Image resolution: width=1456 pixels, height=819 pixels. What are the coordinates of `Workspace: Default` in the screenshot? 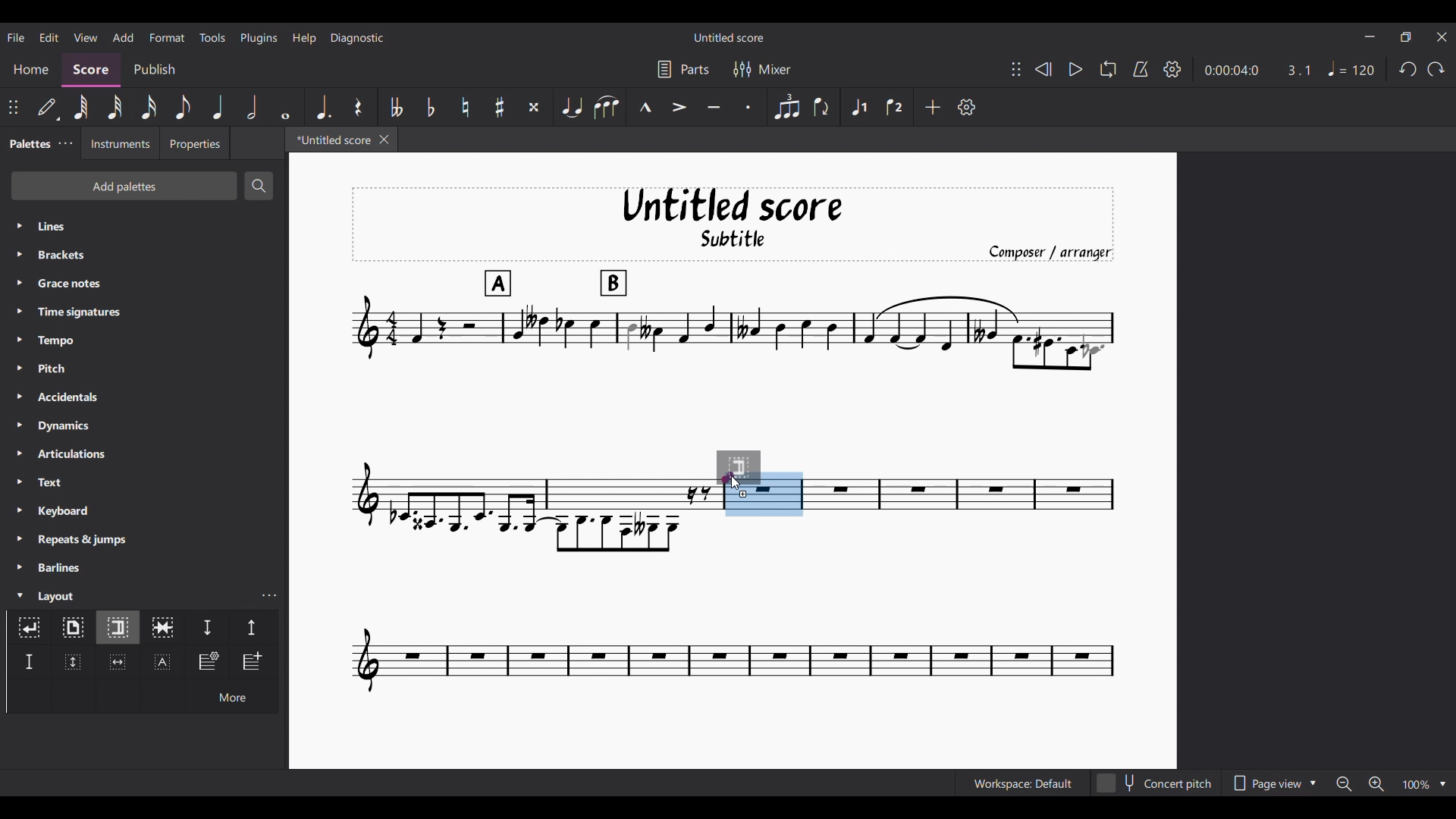 It's located at (1023, 783).